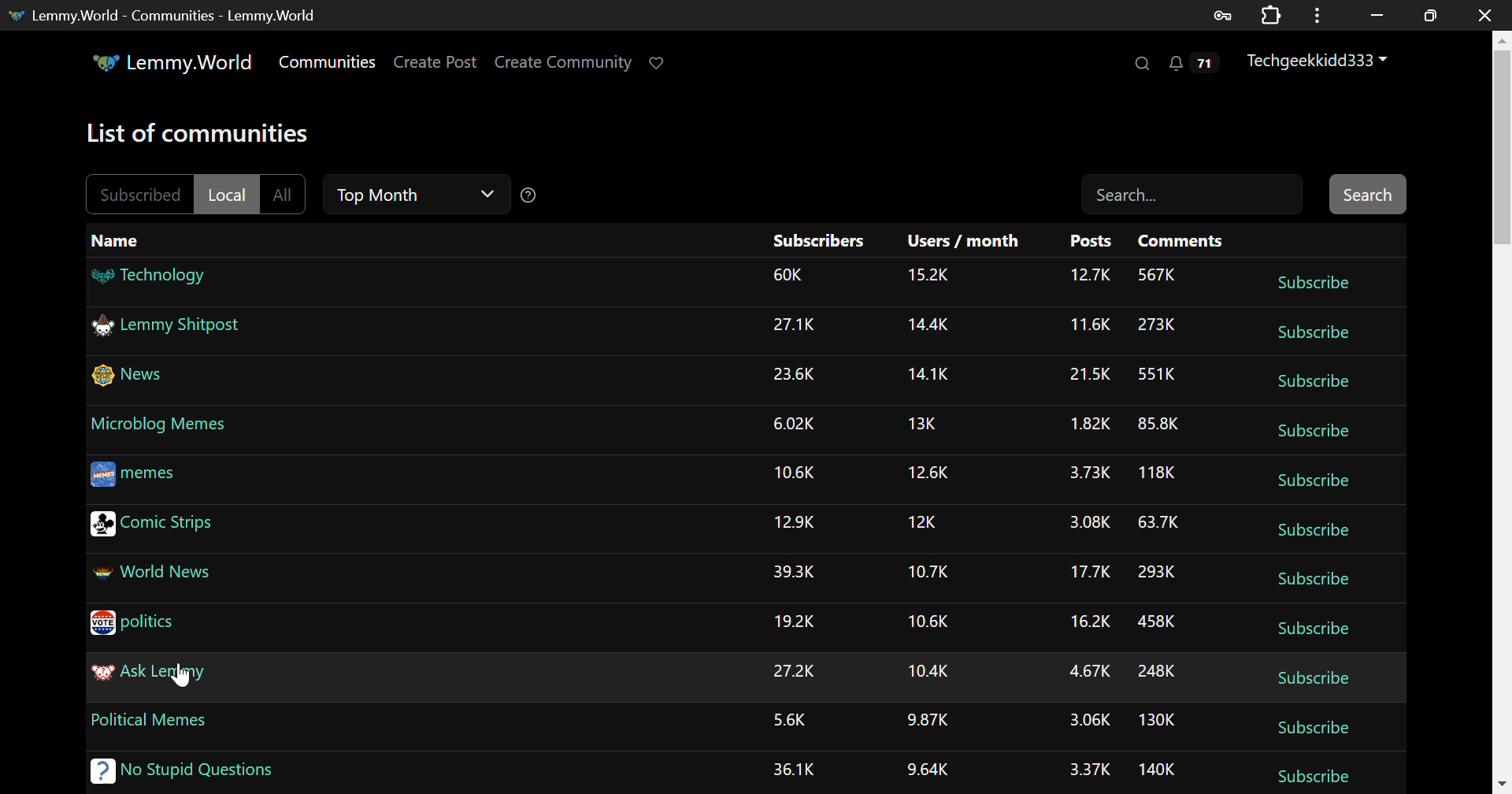 The height and width of the screenshot is (794, 1512). I want to click on Amount, so click(1081, 571).